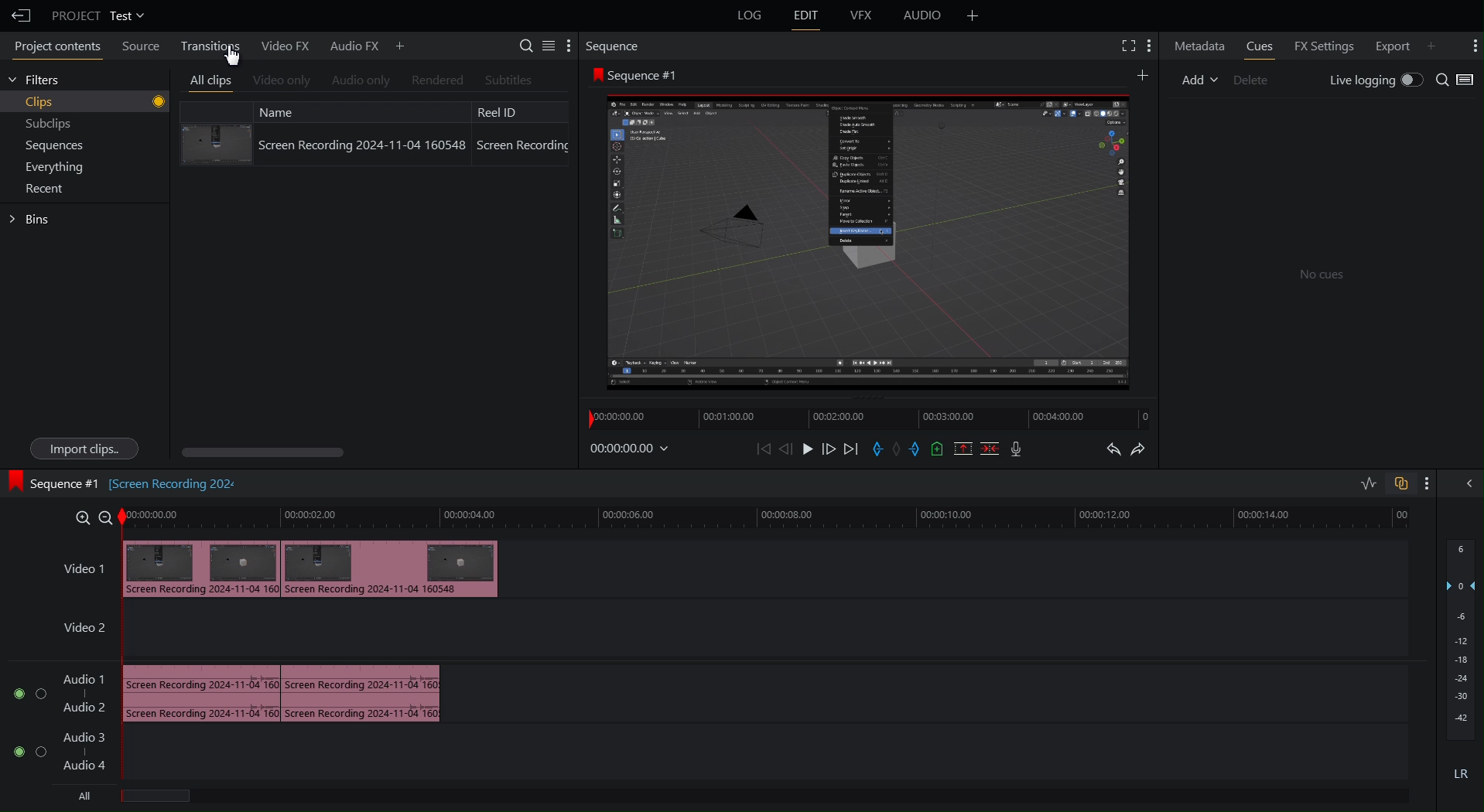 This screenshot has width=1484, height=812. Describe the element at coordinates (1322, 45) in the screenshot. I see `FX Settings` at that location.